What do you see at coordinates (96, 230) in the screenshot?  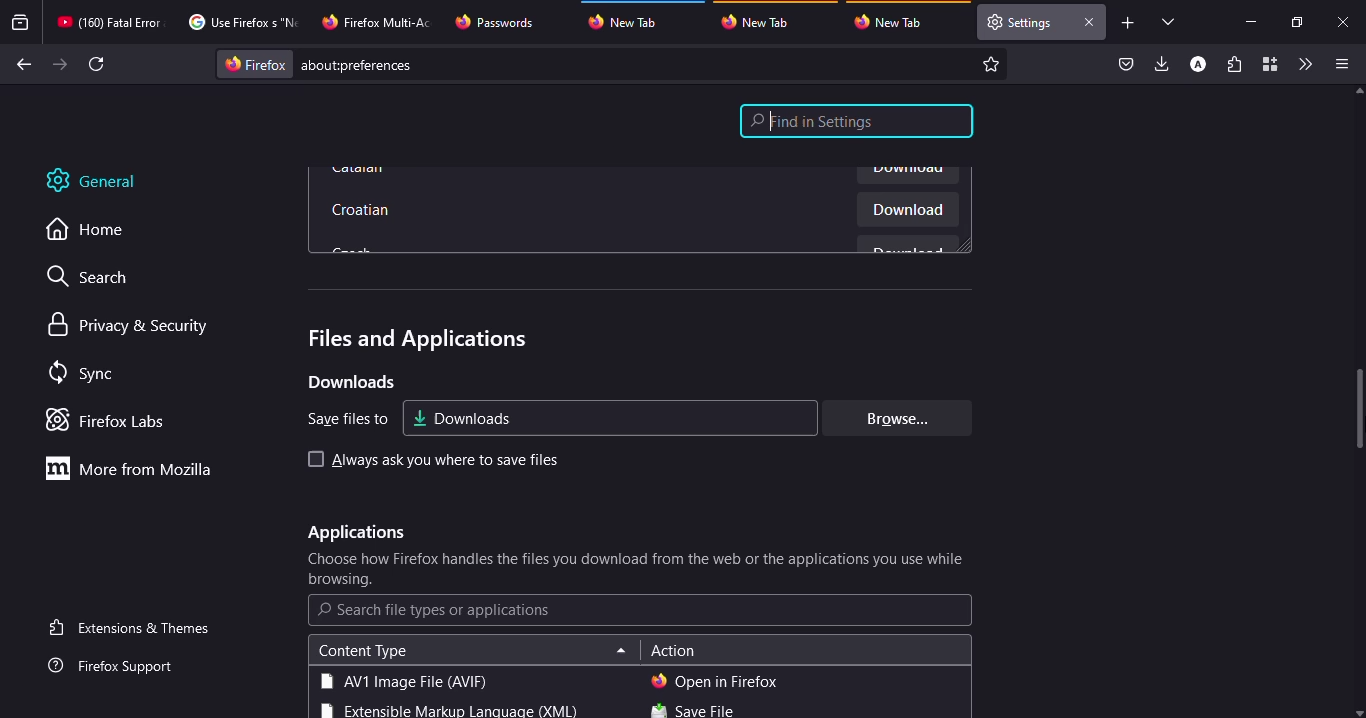 I see `home` at bounding box center [96, 230].